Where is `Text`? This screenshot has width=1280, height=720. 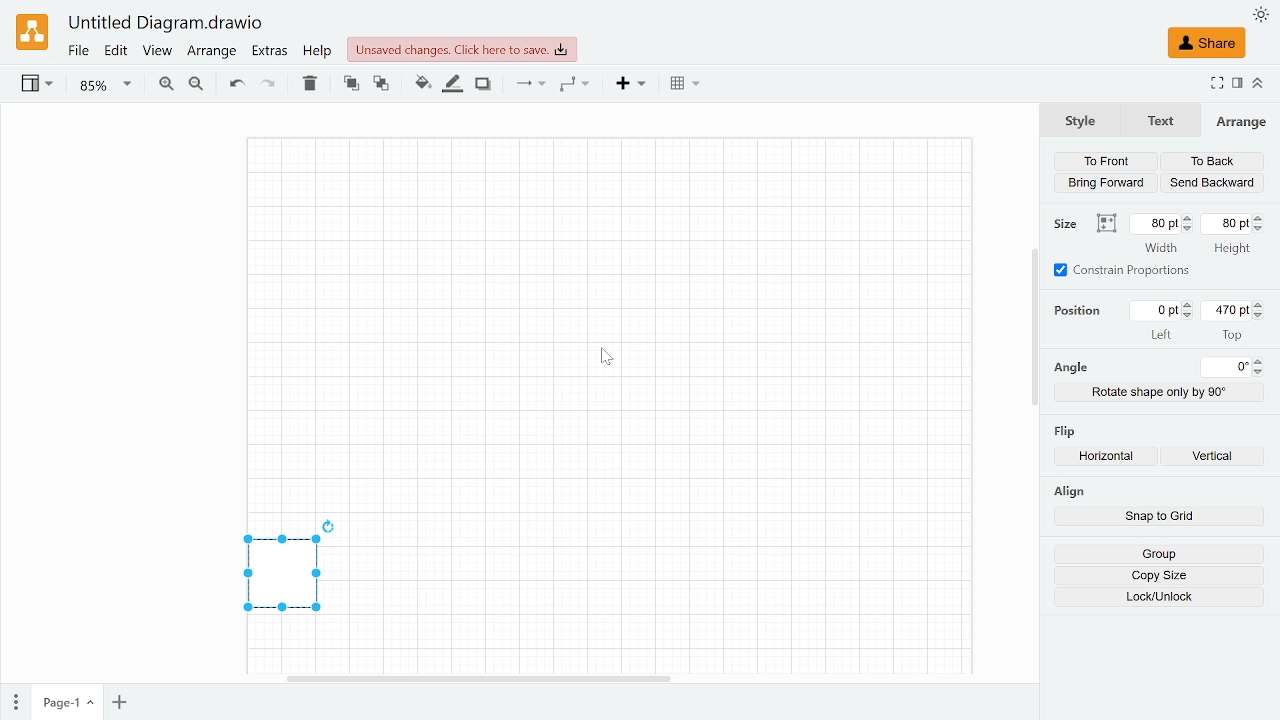 Text is located at coordinates (1157, 121).